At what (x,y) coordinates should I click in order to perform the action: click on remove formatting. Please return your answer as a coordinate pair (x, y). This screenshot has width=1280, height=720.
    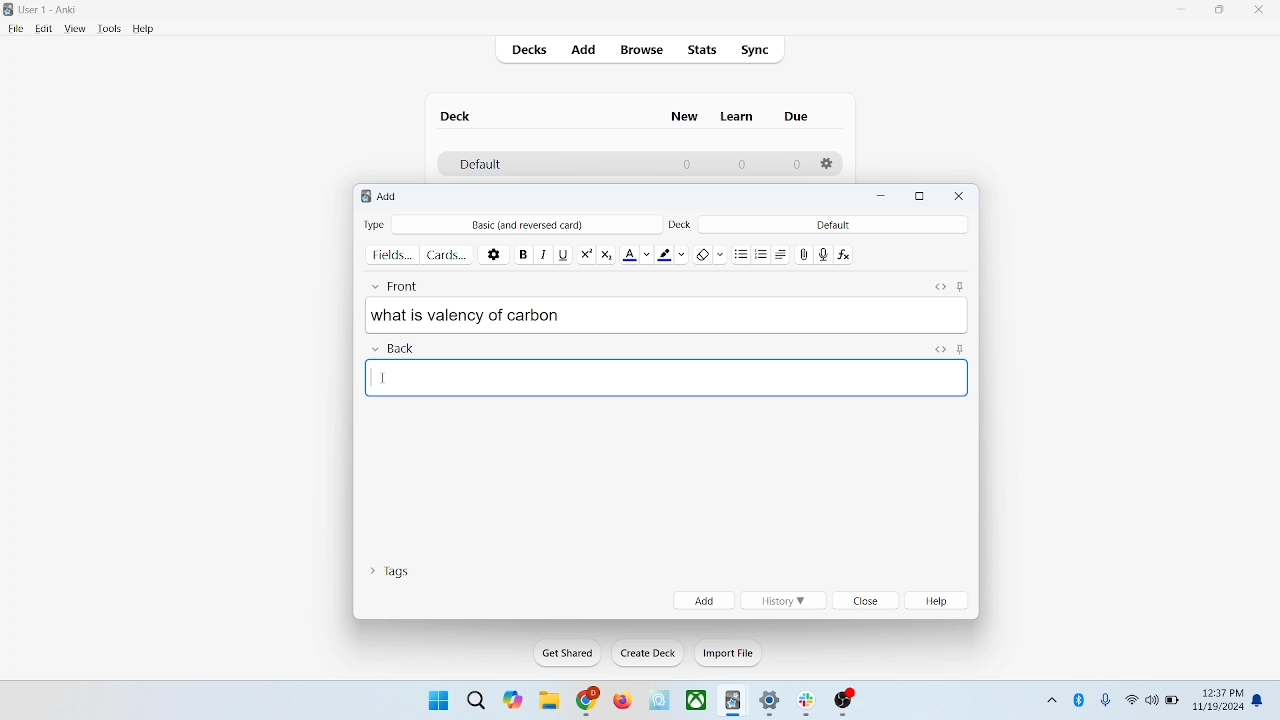
    Looking at the image, I should click on (711, 252).